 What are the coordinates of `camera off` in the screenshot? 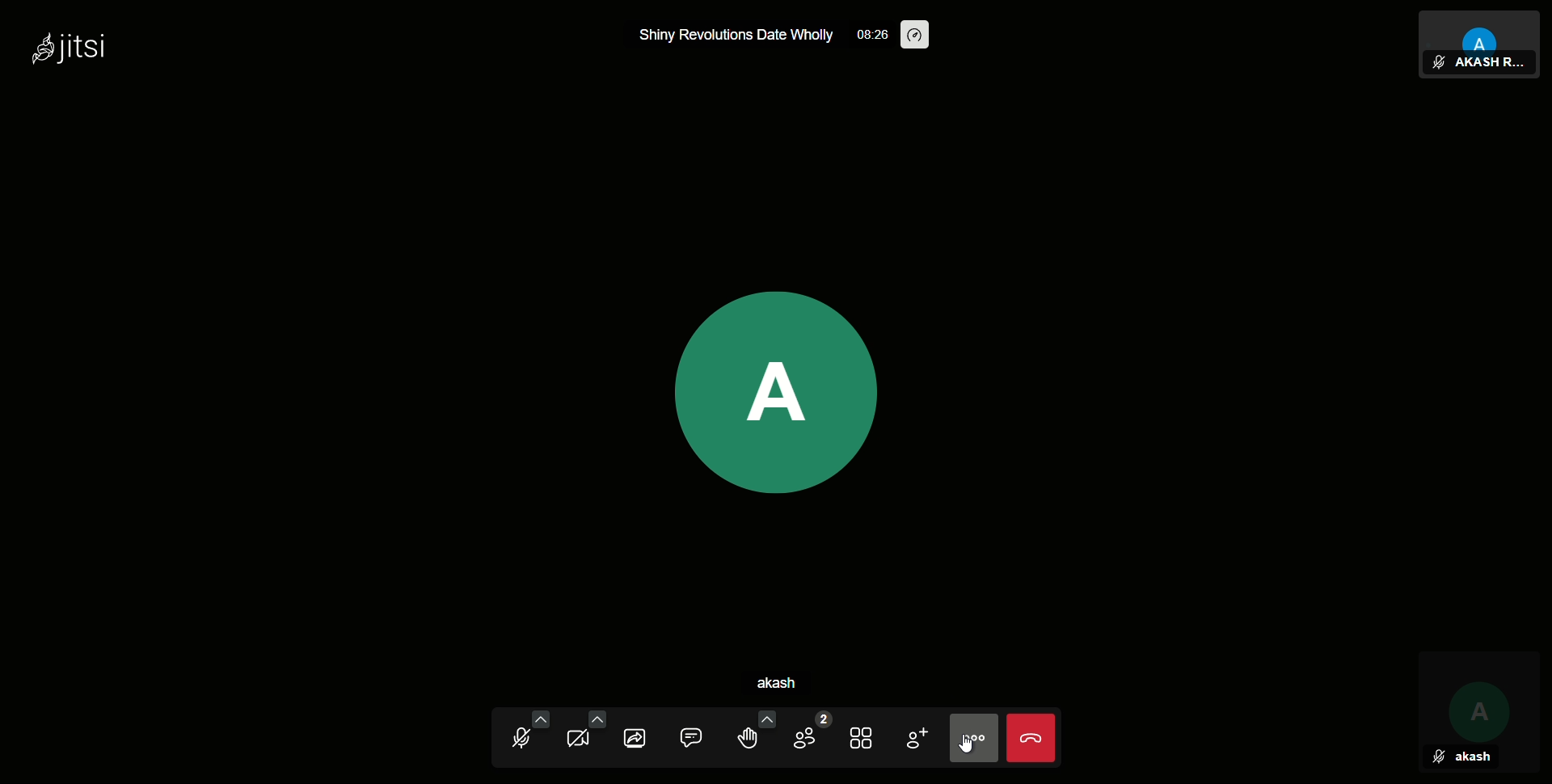 It's located at (581, 736).